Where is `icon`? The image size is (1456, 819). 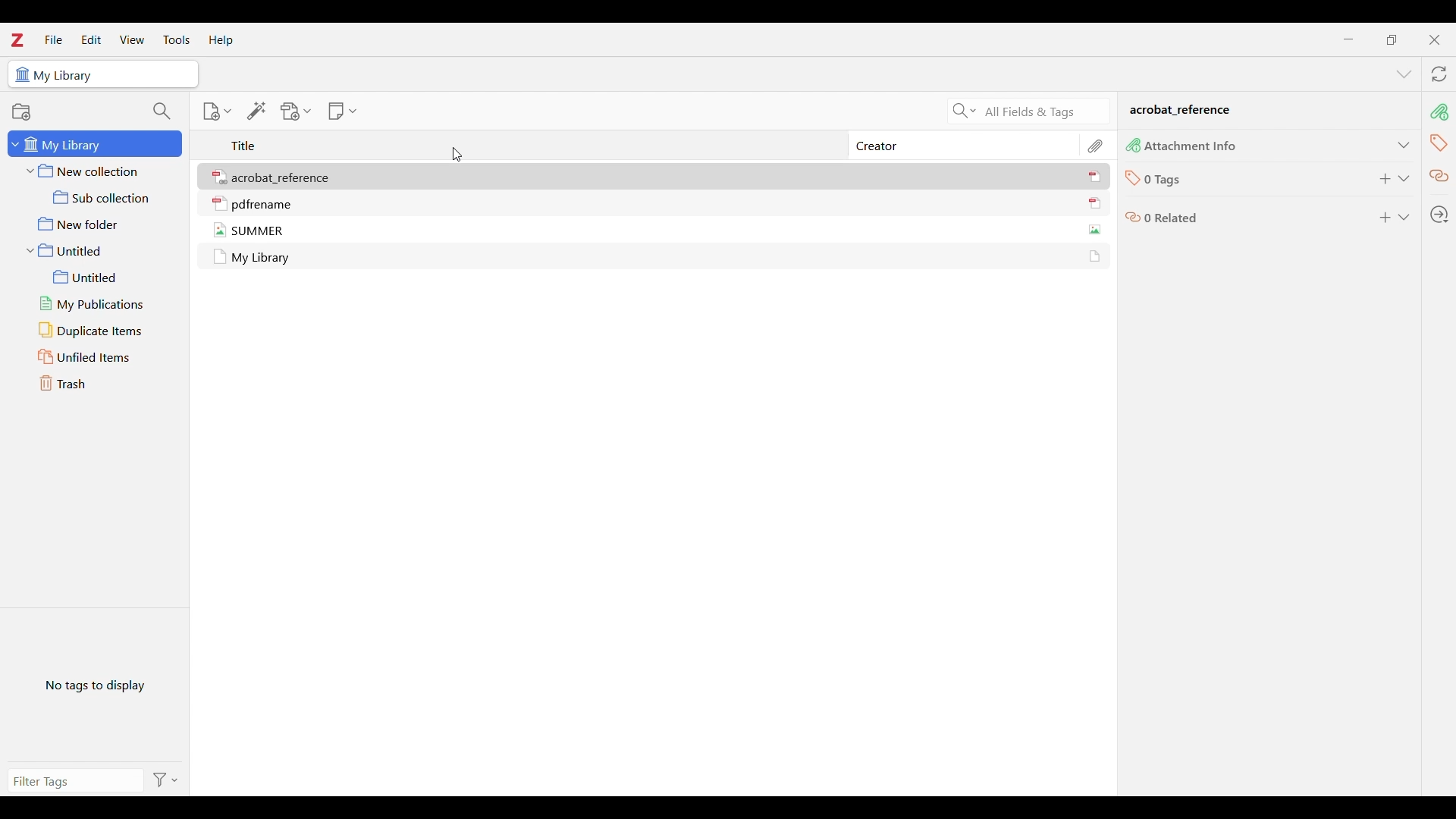
icon is located at coordinates (1094, 256).